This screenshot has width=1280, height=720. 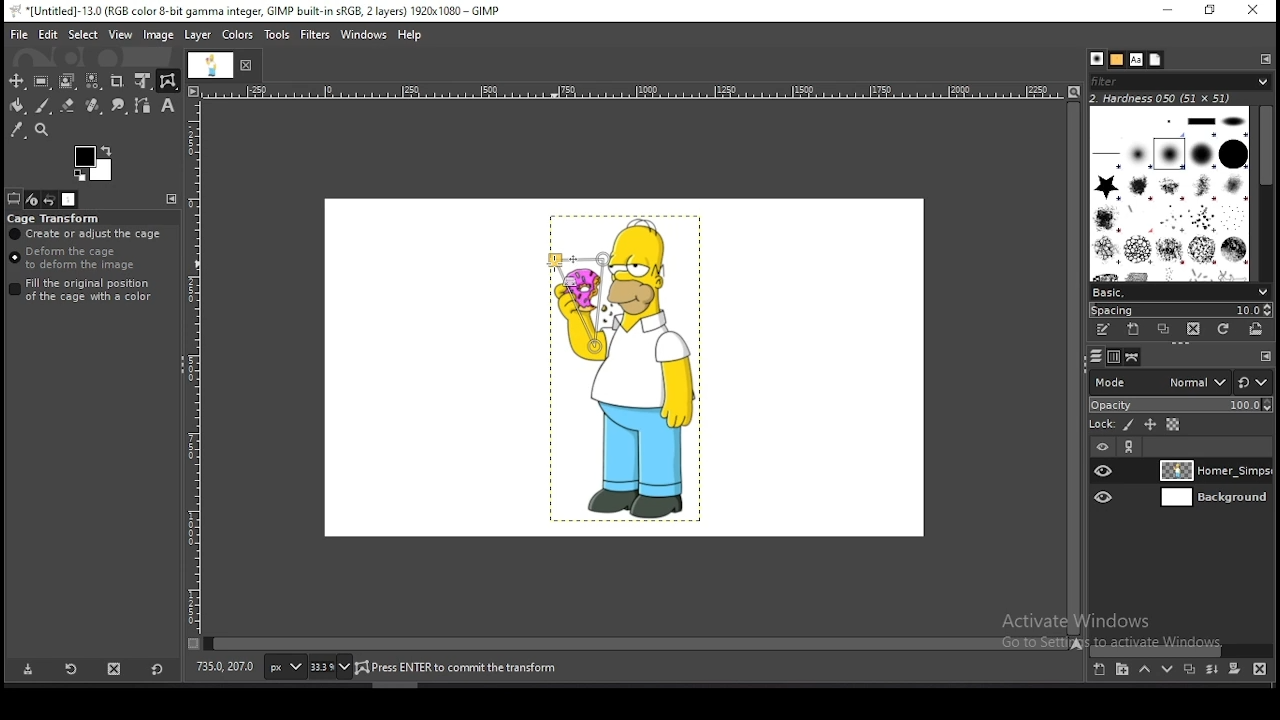 I want to click on scroll bar, so click(x=636, y=642).